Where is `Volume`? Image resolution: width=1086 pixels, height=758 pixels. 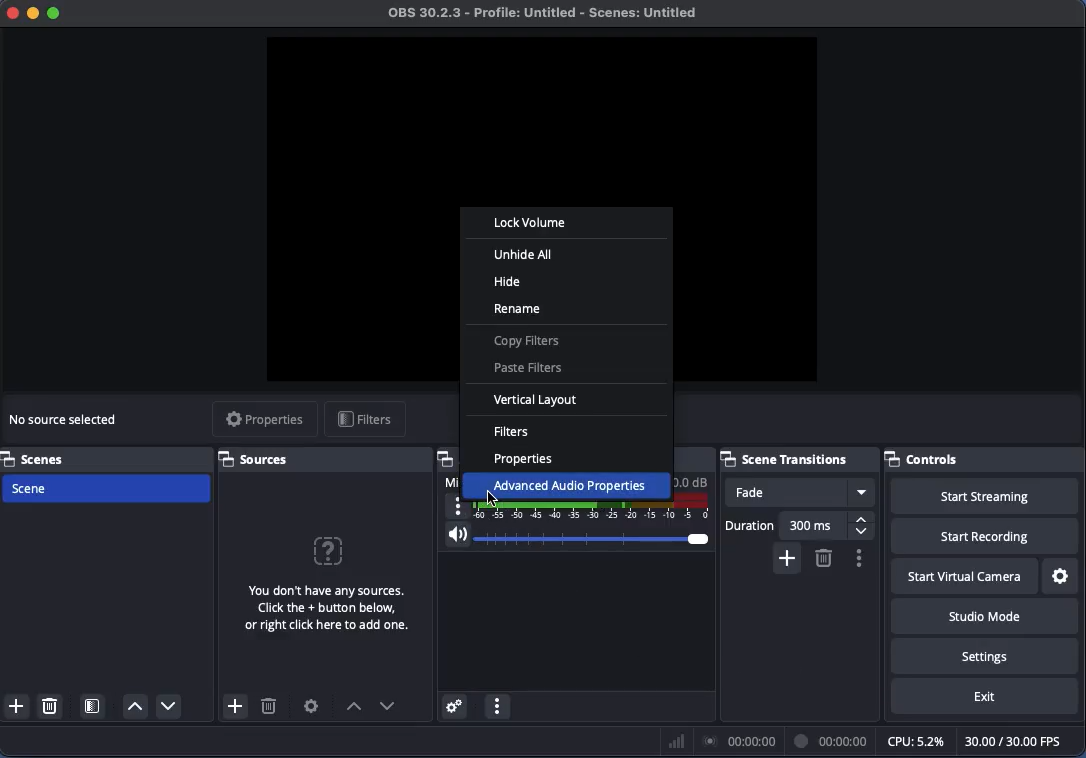 Volume is located at coordinates (575, 538).